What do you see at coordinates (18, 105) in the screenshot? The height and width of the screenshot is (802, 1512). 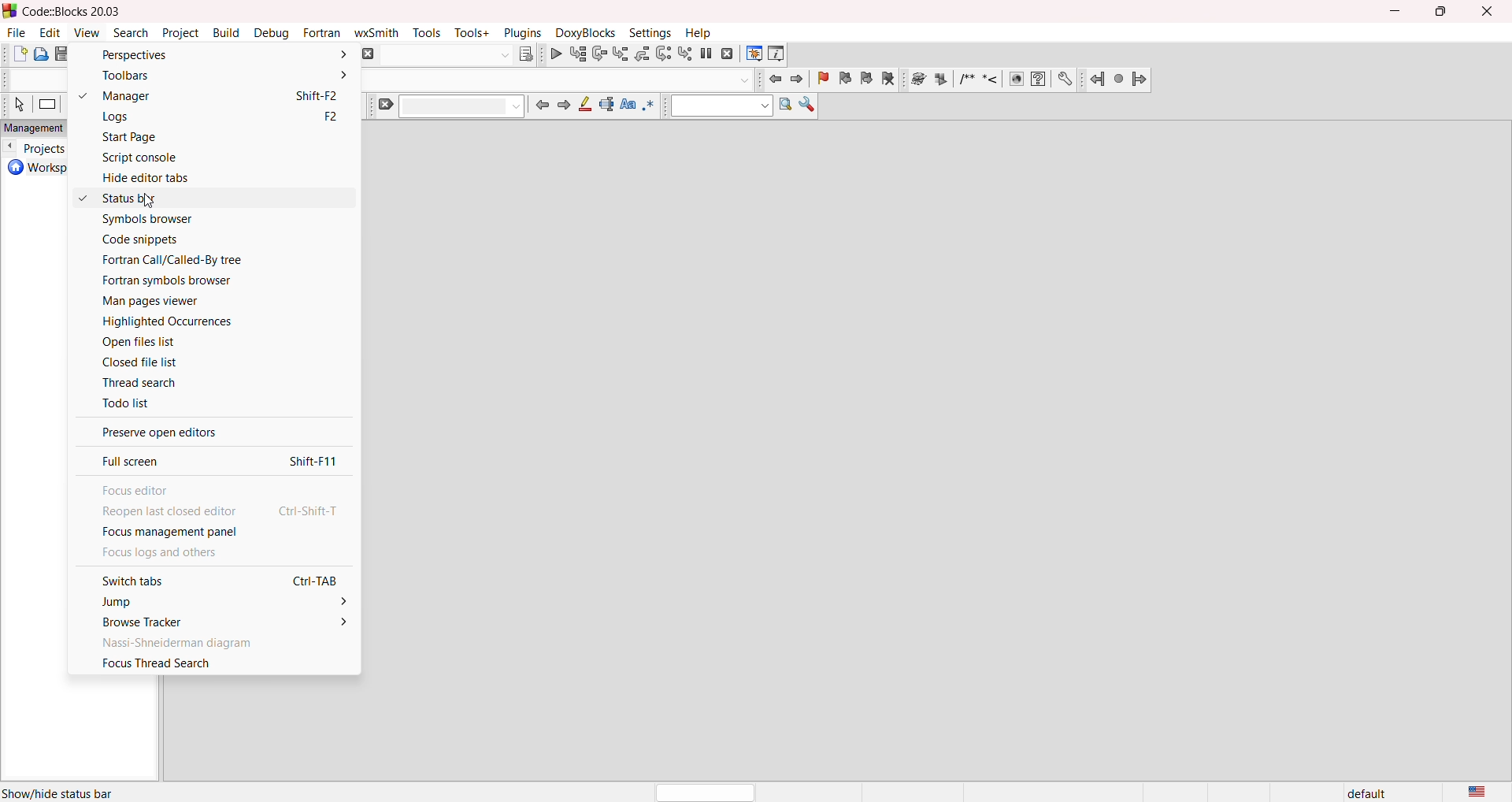 I see `select` at bounding box center [18, 105].